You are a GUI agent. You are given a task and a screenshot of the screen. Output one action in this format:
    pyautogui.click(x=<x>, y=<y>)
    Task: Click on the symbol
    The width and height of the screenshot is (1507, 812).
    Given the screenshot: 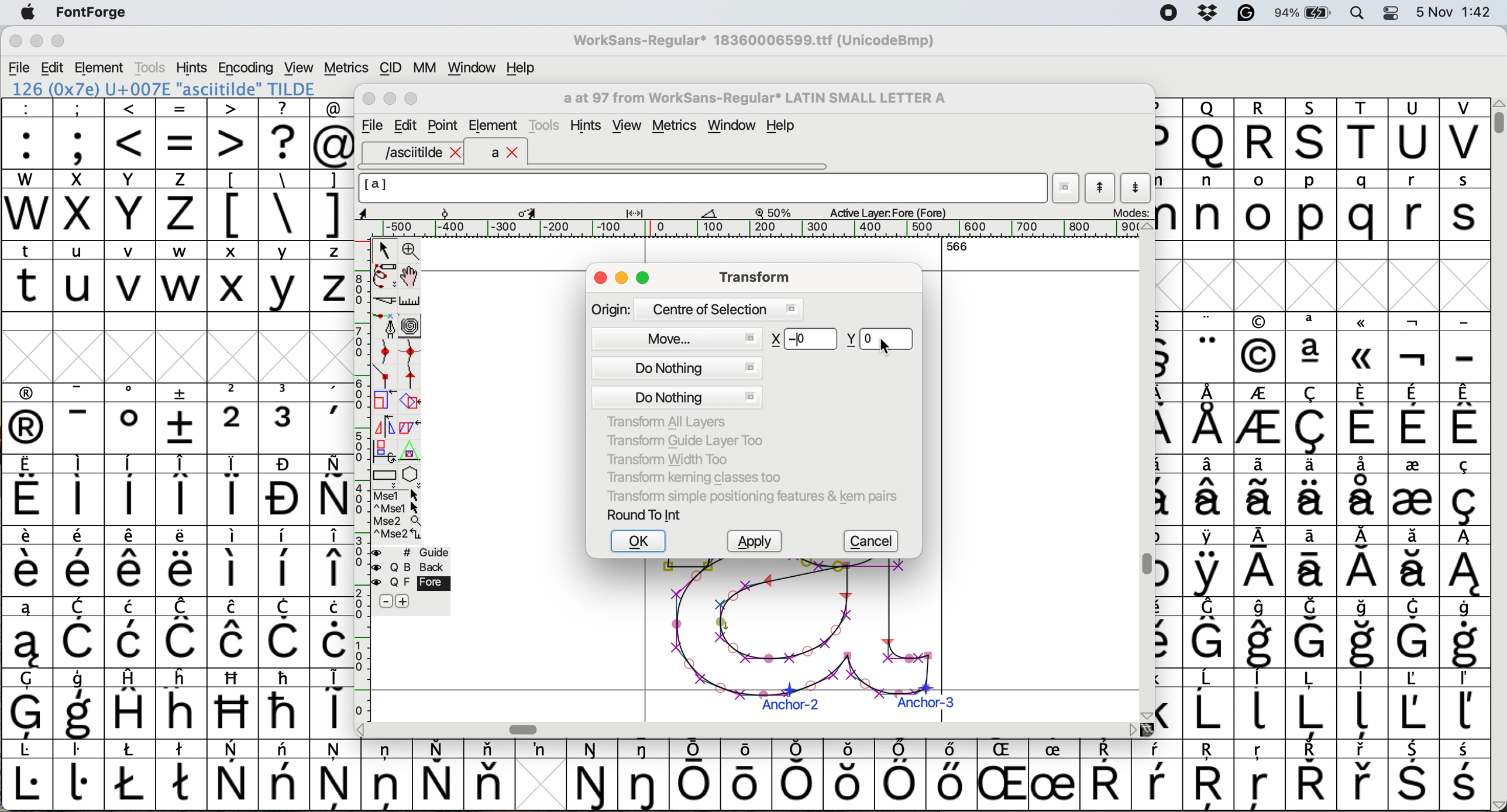 What is the action you would take?
    pyautogui.click(x=1312, y=562)
    